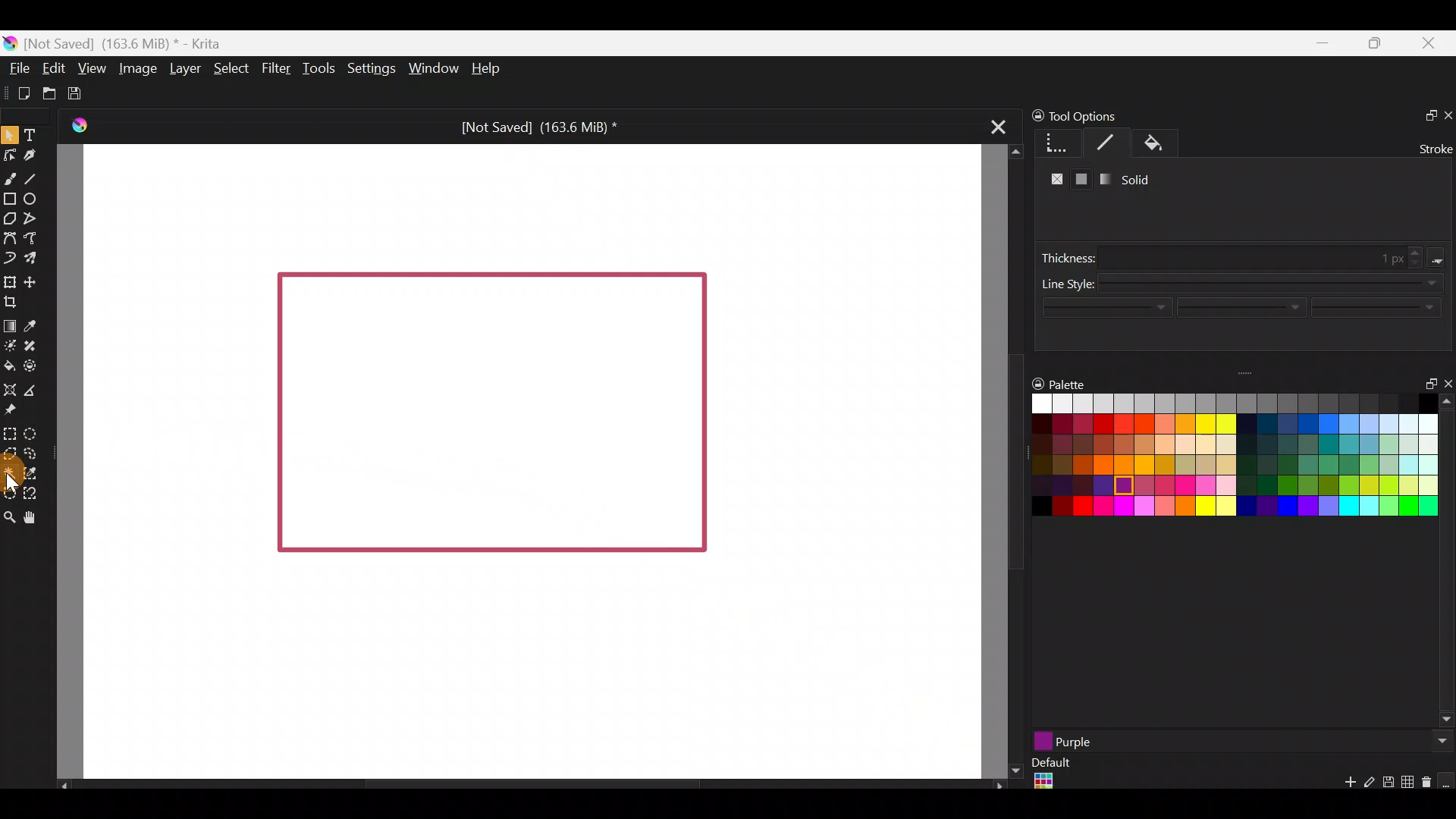  What do you see at coordinates (1107, 141) in the screenshot?
I see `Stroke` at bounding box center [1107, 141].